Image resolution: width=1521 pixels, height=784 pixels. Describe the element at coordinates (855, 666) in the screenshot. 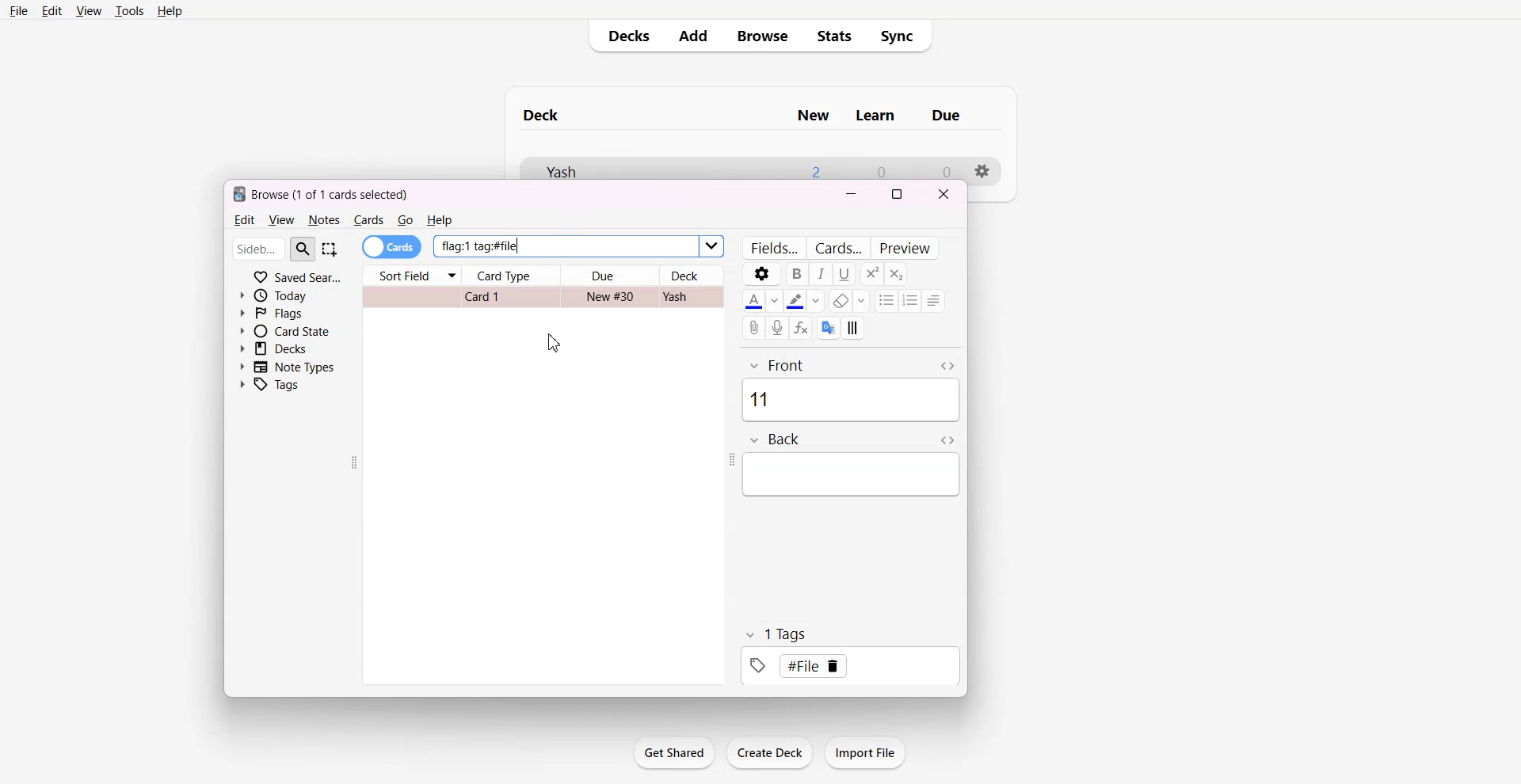

I see `Tag` at that location.